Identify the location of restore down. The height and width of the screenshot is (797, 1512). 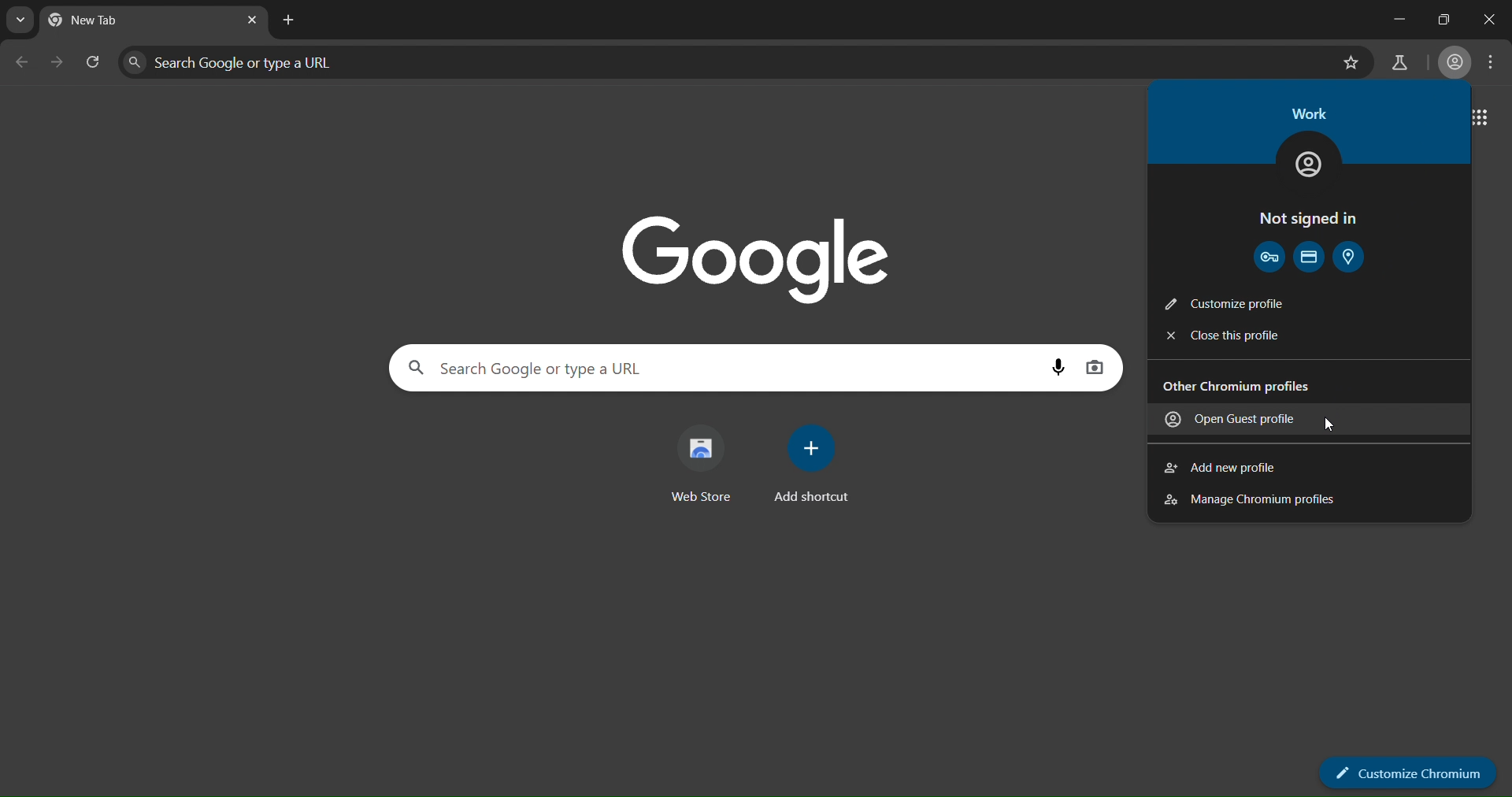
(1445, 21).